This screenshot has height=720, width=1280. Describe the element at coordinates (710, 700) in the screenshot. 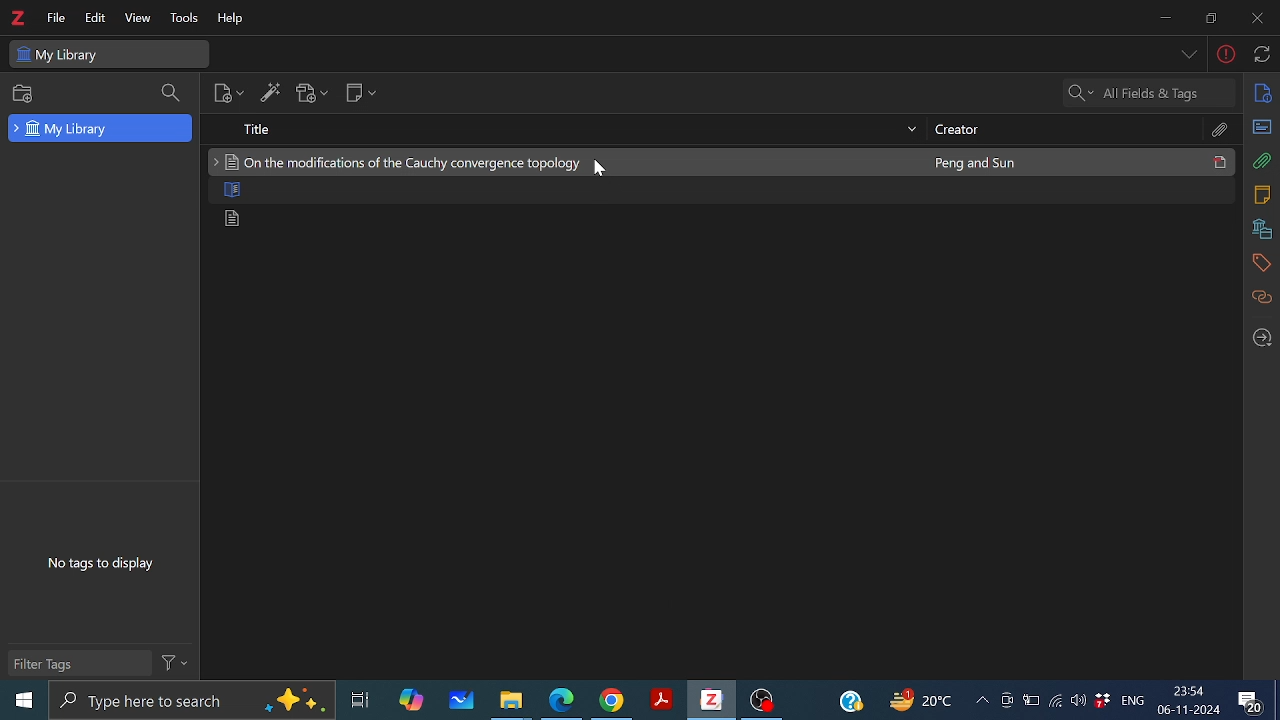

I see `Zotero` at that location.